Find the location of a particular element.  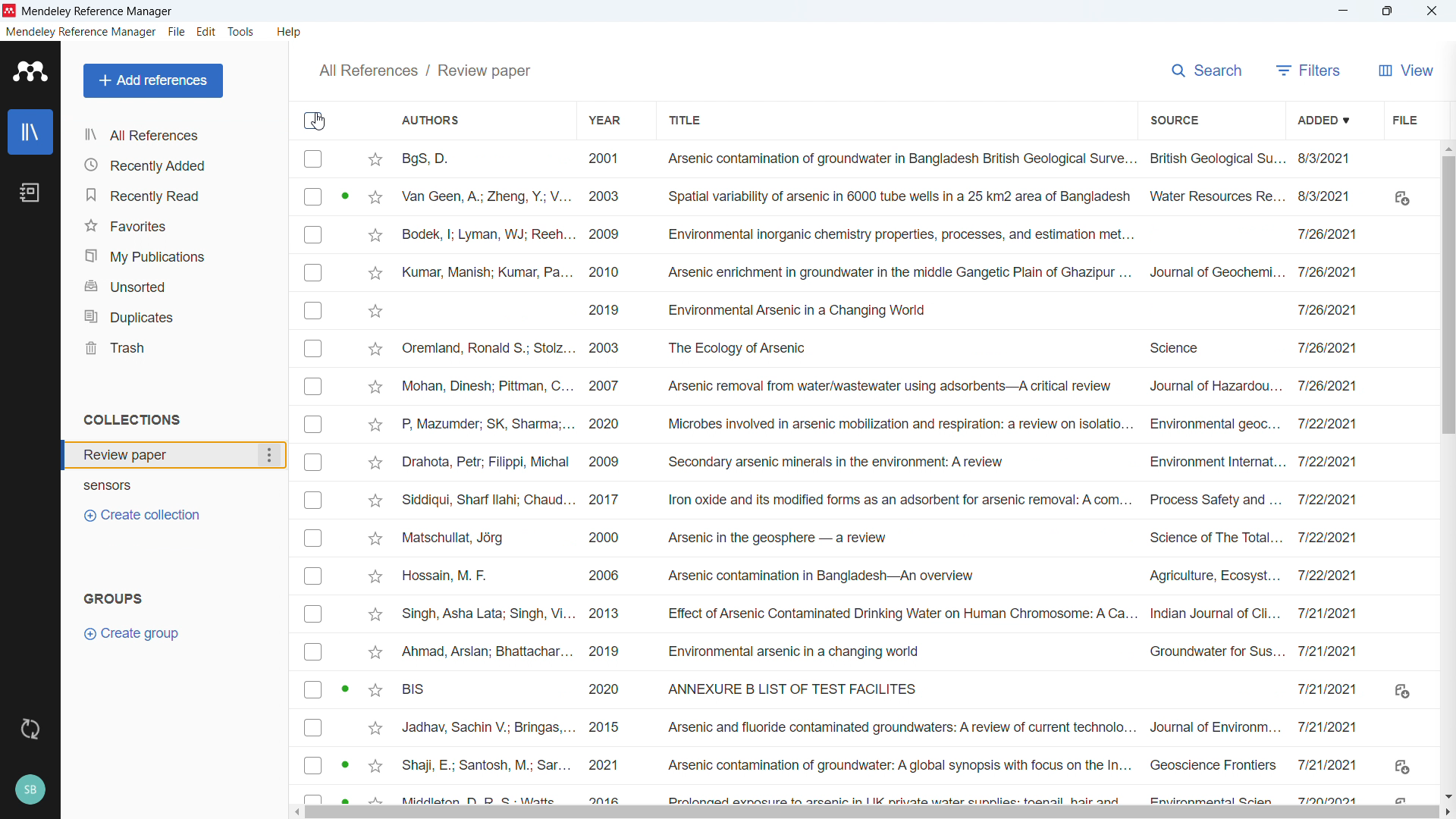

Ni, Lingfeng; Zhu, Yijing; M... 2021 Novel strategy for membrane biofouling control in MBR with CdS/MIL-101 mo... Water Research 10/28/2024 is located at coordinates (885, 310).